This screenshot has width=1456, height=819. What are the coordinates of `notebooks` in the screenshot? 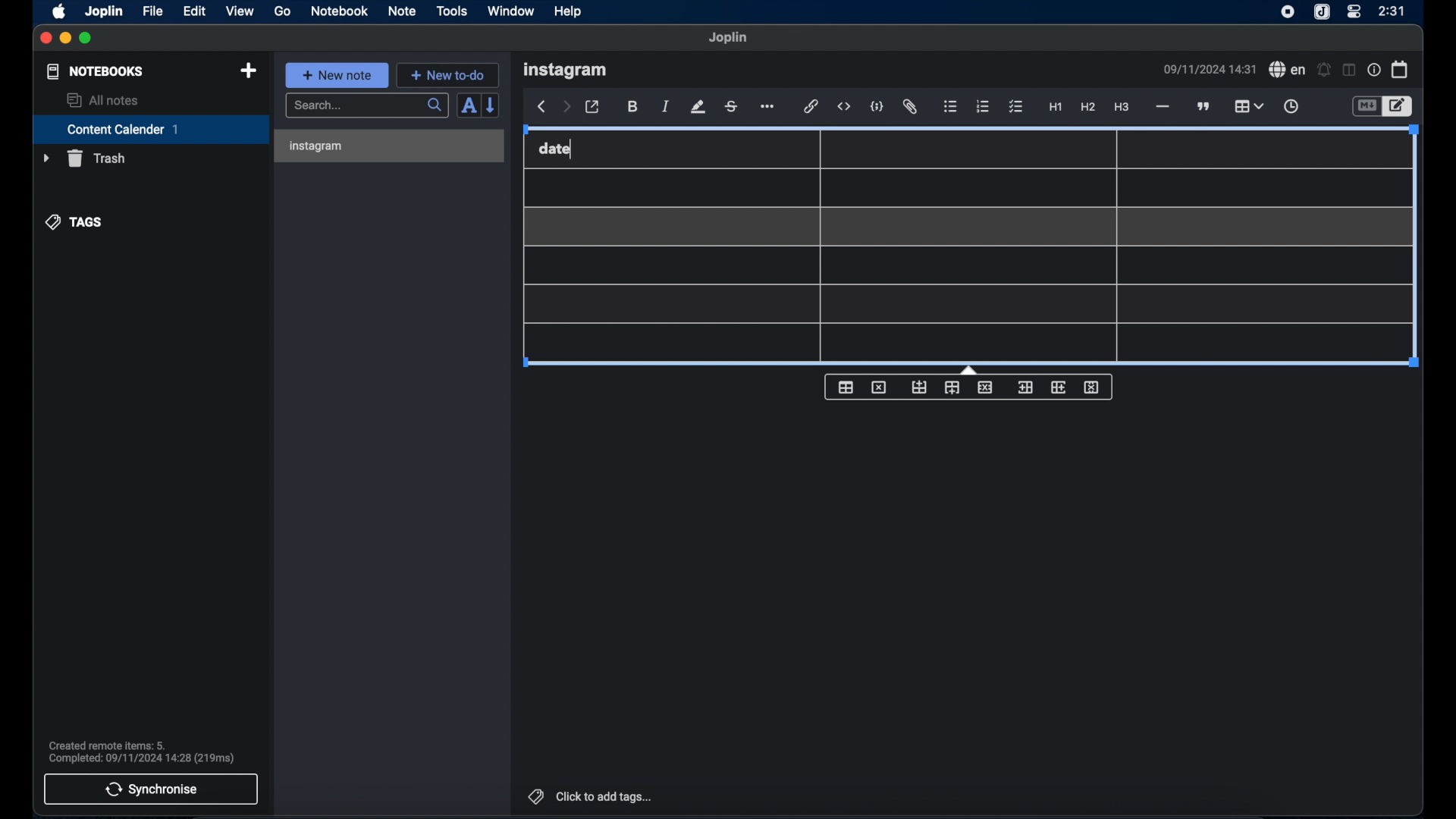 It's located at (96, 71).